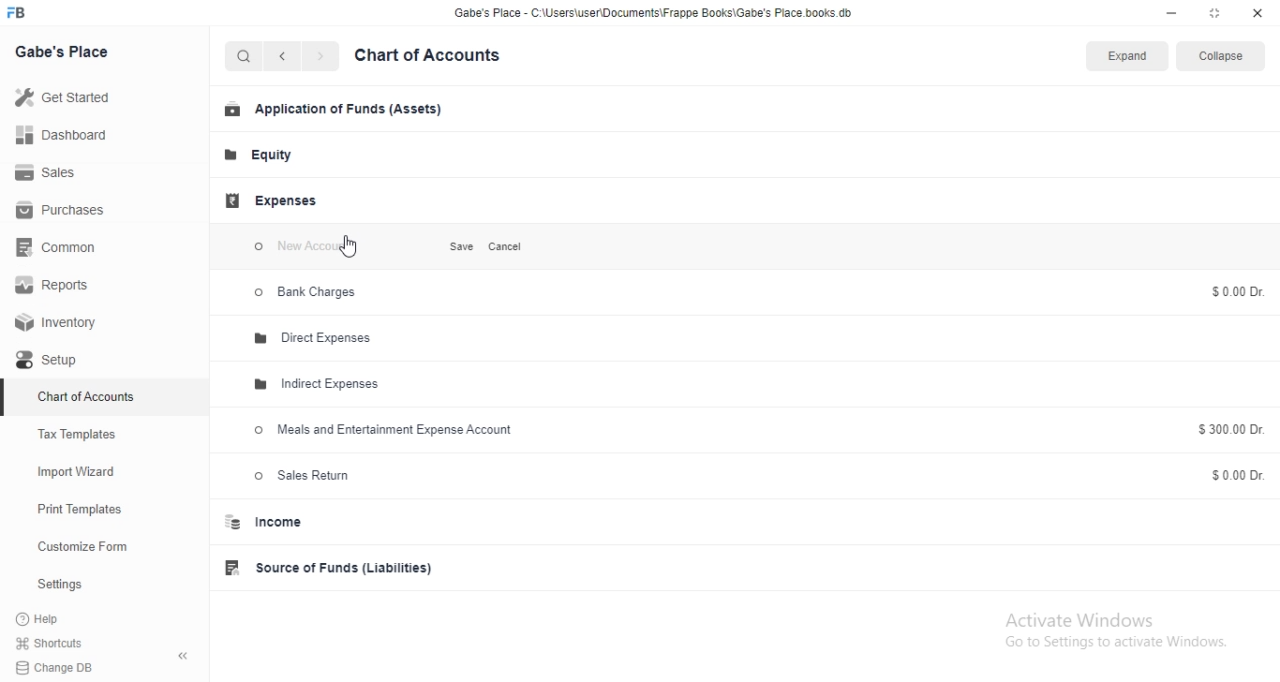 The image size is (1280, 682). Describe the element at coordinates (366, 203) in the screenshot. I see `Add Account` at that location.